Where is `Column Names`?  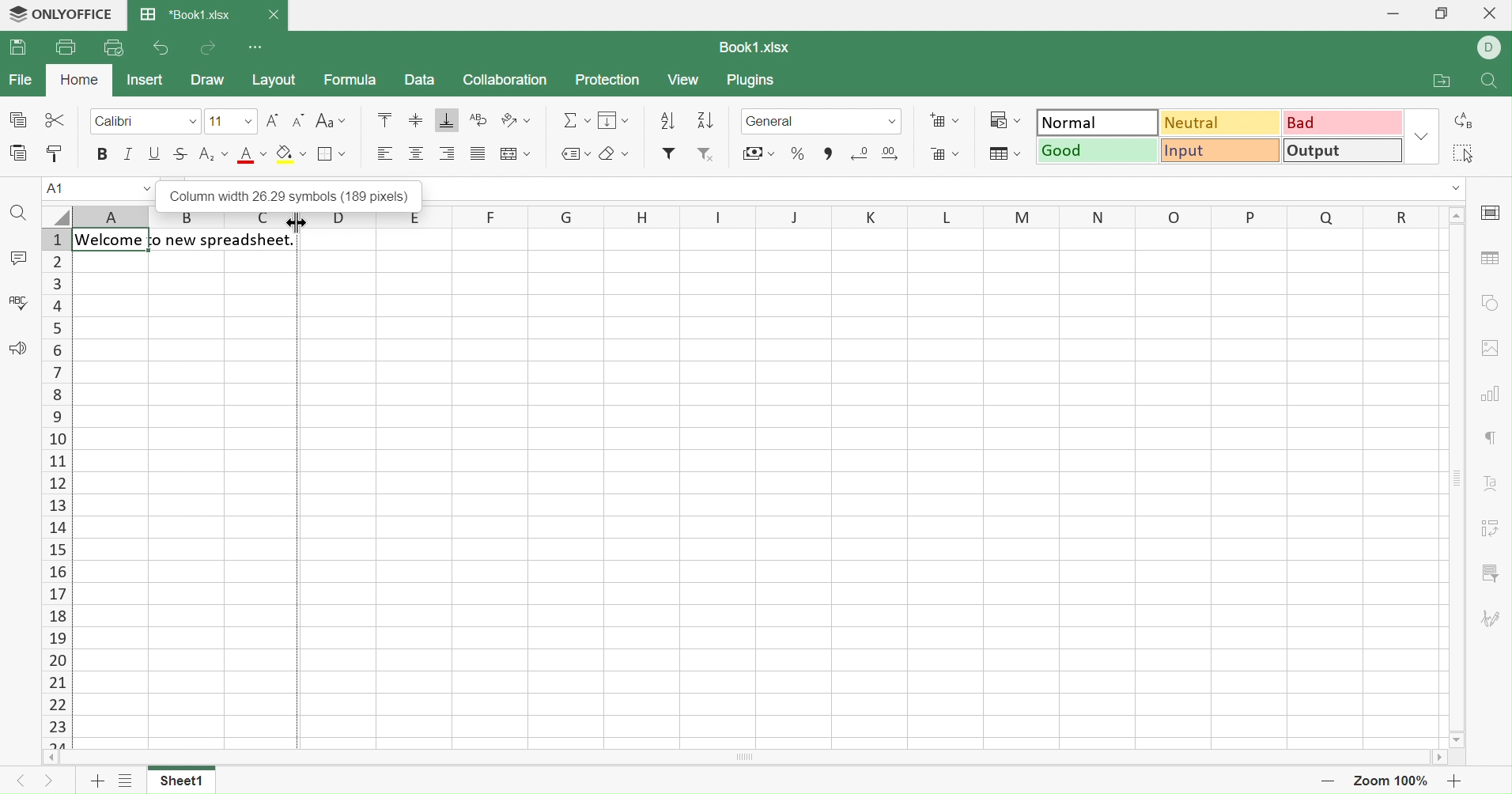
Column Names is located at coordinates (732, 216).